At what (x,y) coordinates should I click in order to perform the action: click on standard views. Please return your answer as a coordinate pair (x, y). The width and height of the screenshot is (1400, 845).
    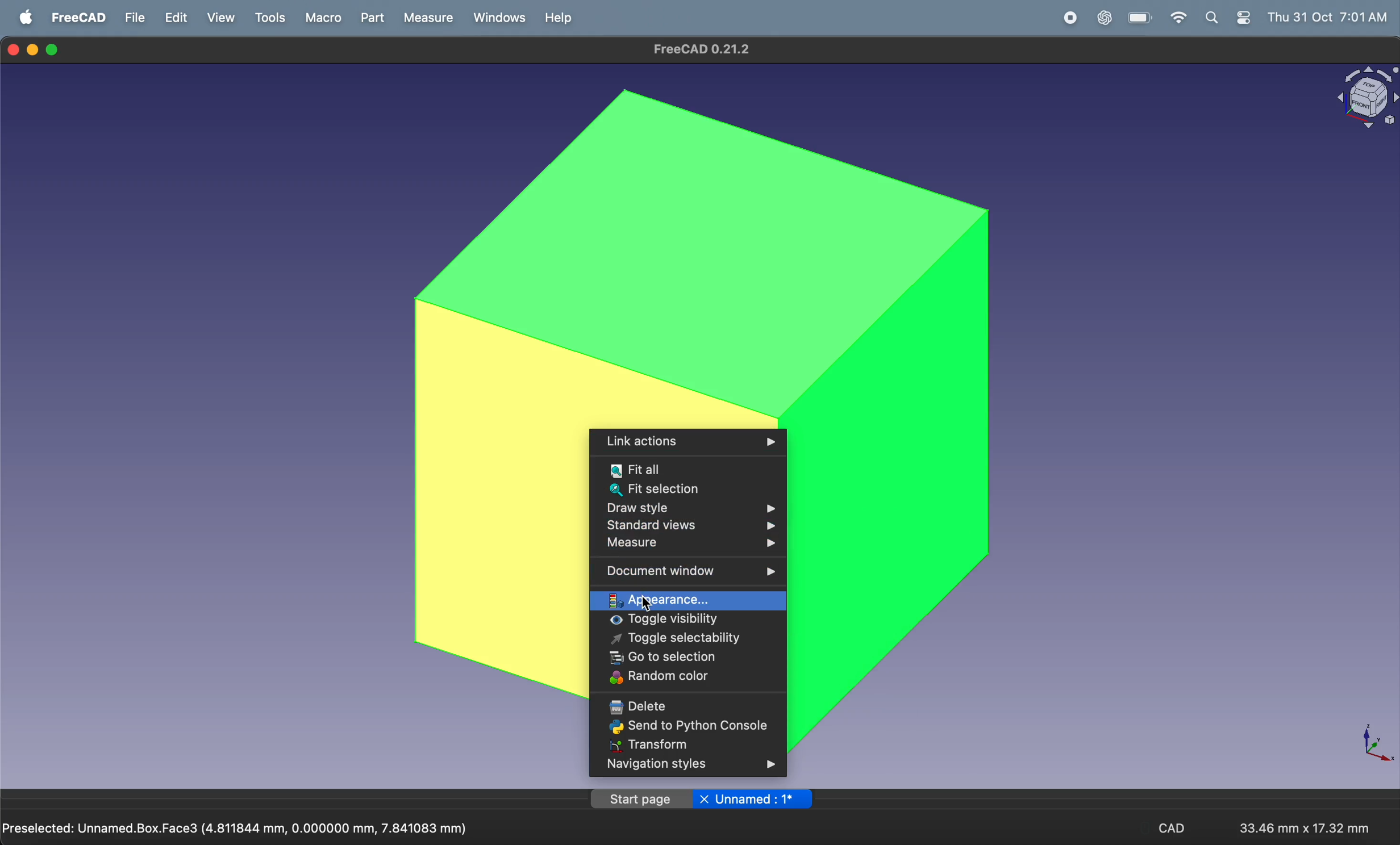
    Looking at the image, I should click on (686, 526).